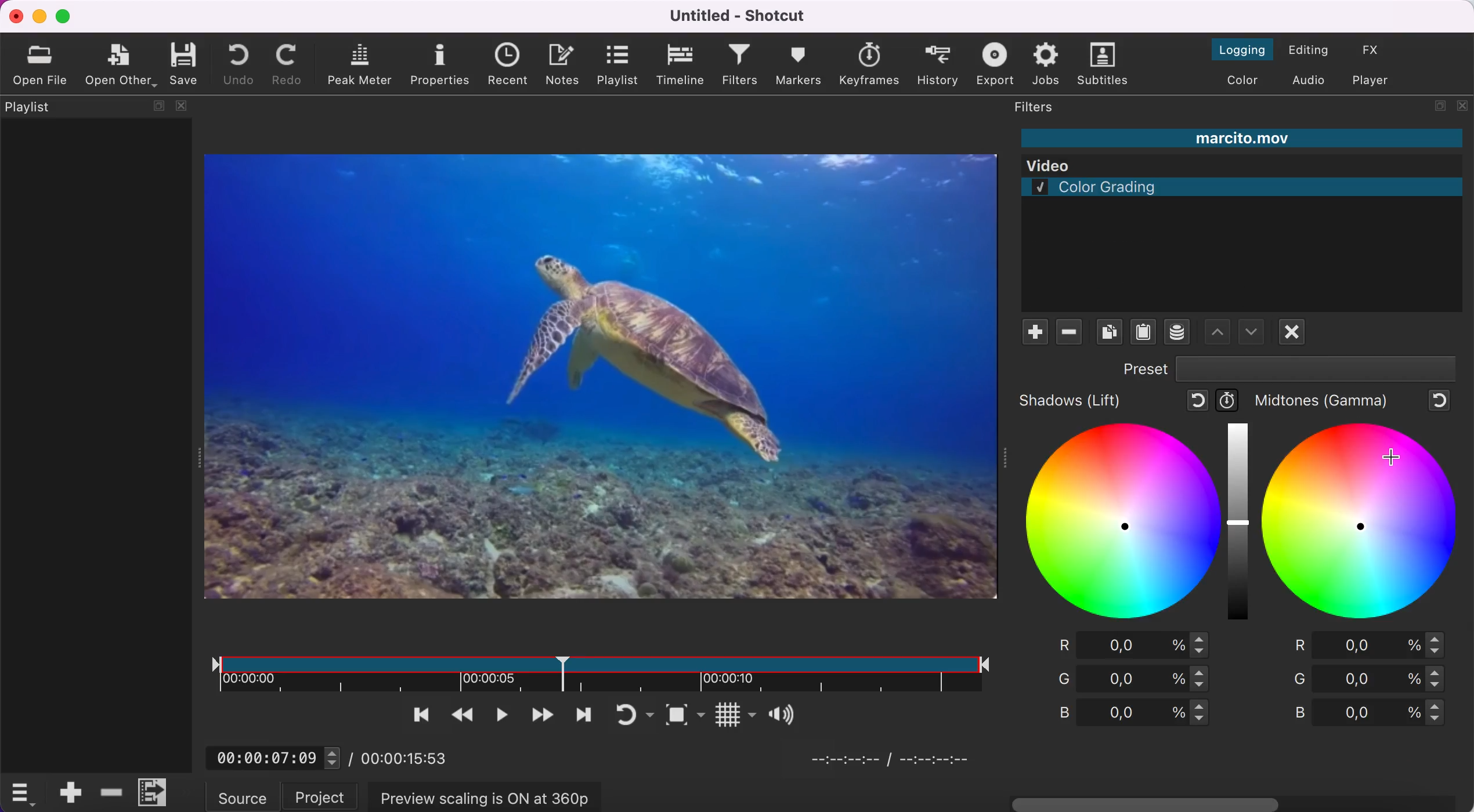  Describe the element at coordinates (1114, 521) in the screenshot. I see `shadows figure` at that location.